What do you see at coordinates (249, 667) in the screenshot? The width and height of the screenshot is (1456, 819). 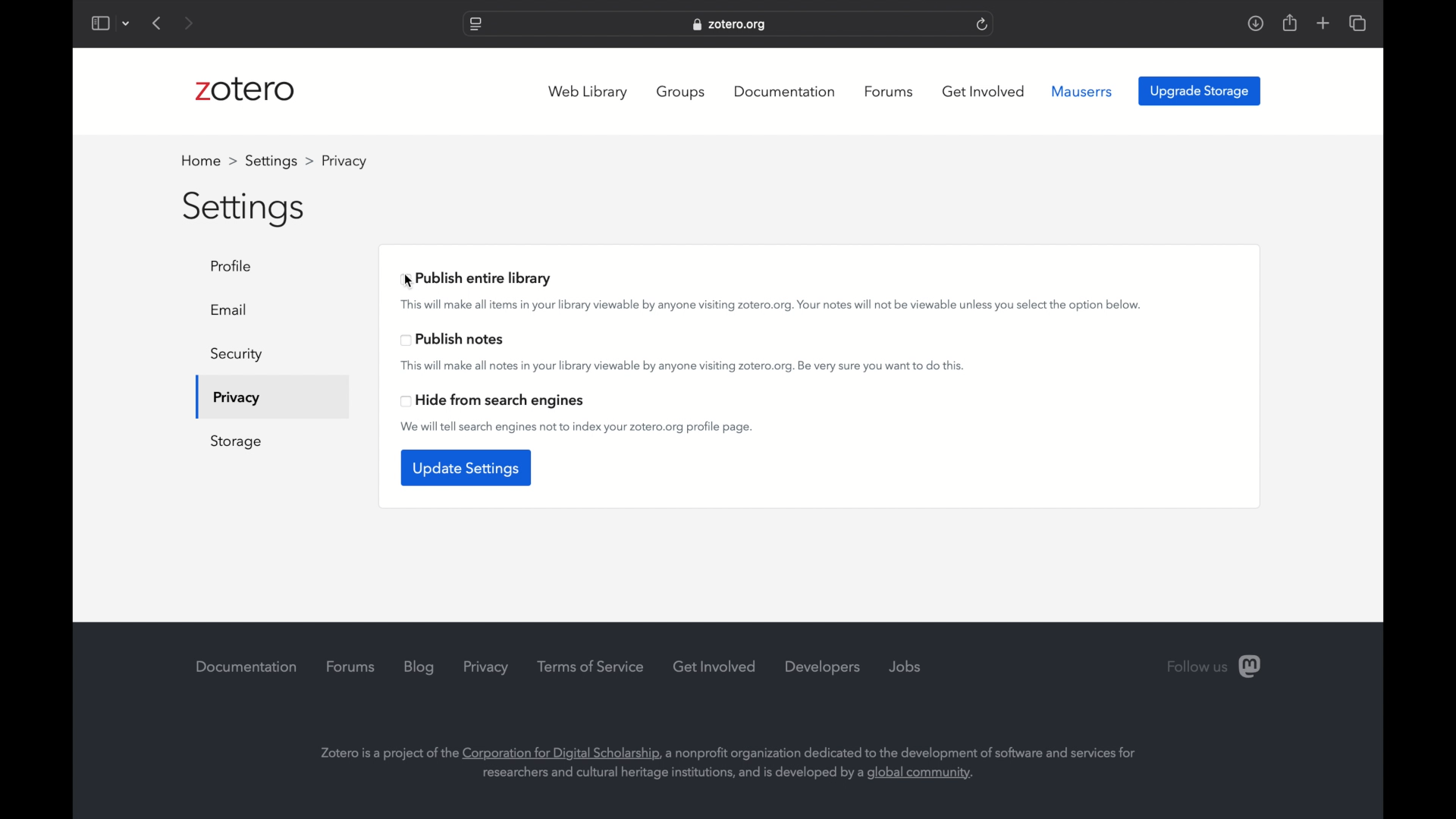 I see `documentation` at bounding box center [249, 667].